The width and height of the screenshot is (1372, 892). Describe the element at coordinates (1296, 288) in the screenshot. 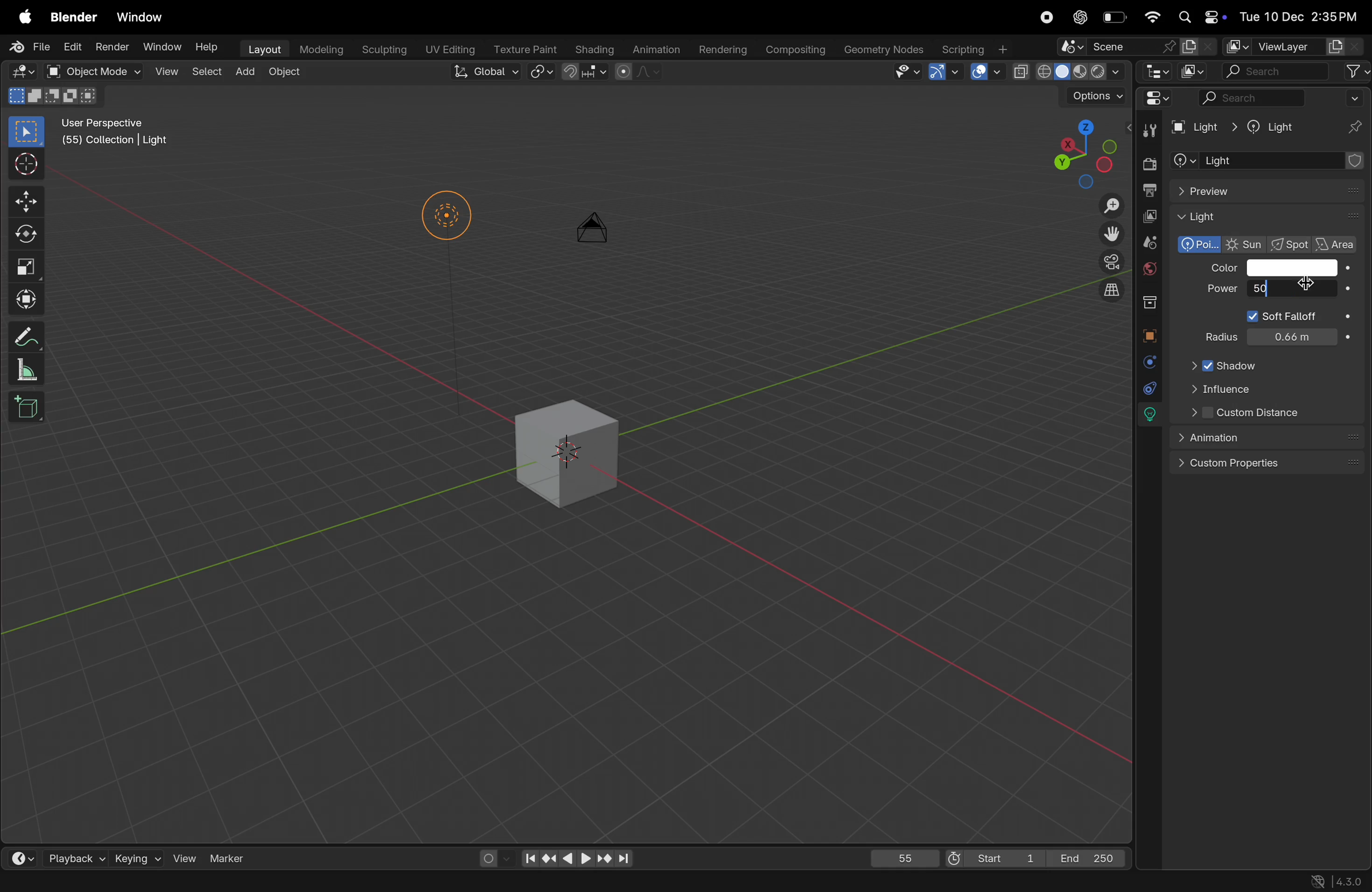

I see `cursor` at that location.